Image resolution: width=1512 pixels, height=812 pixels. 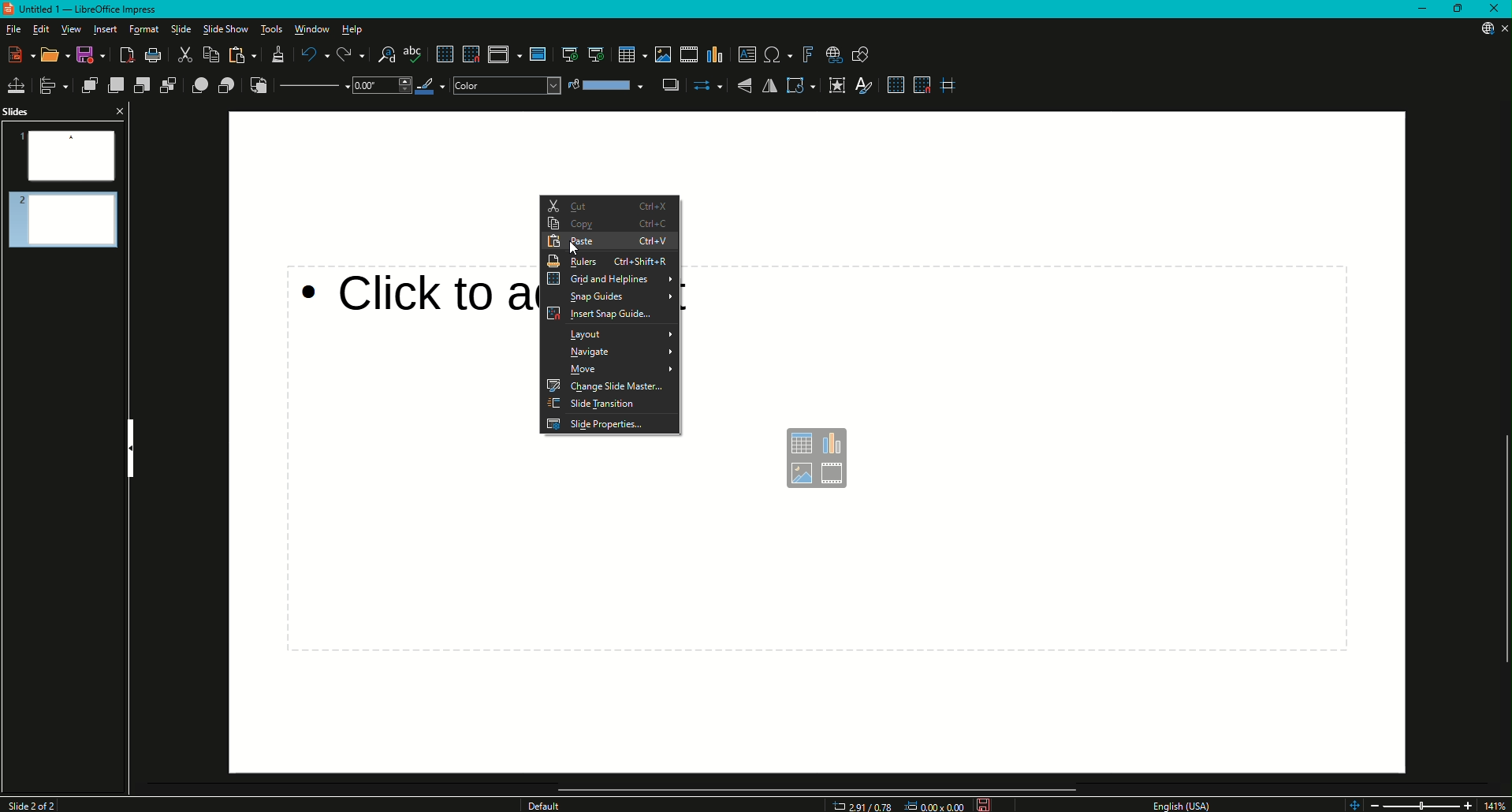 I want to click on Updates Available, so click(x=1480, y=28).